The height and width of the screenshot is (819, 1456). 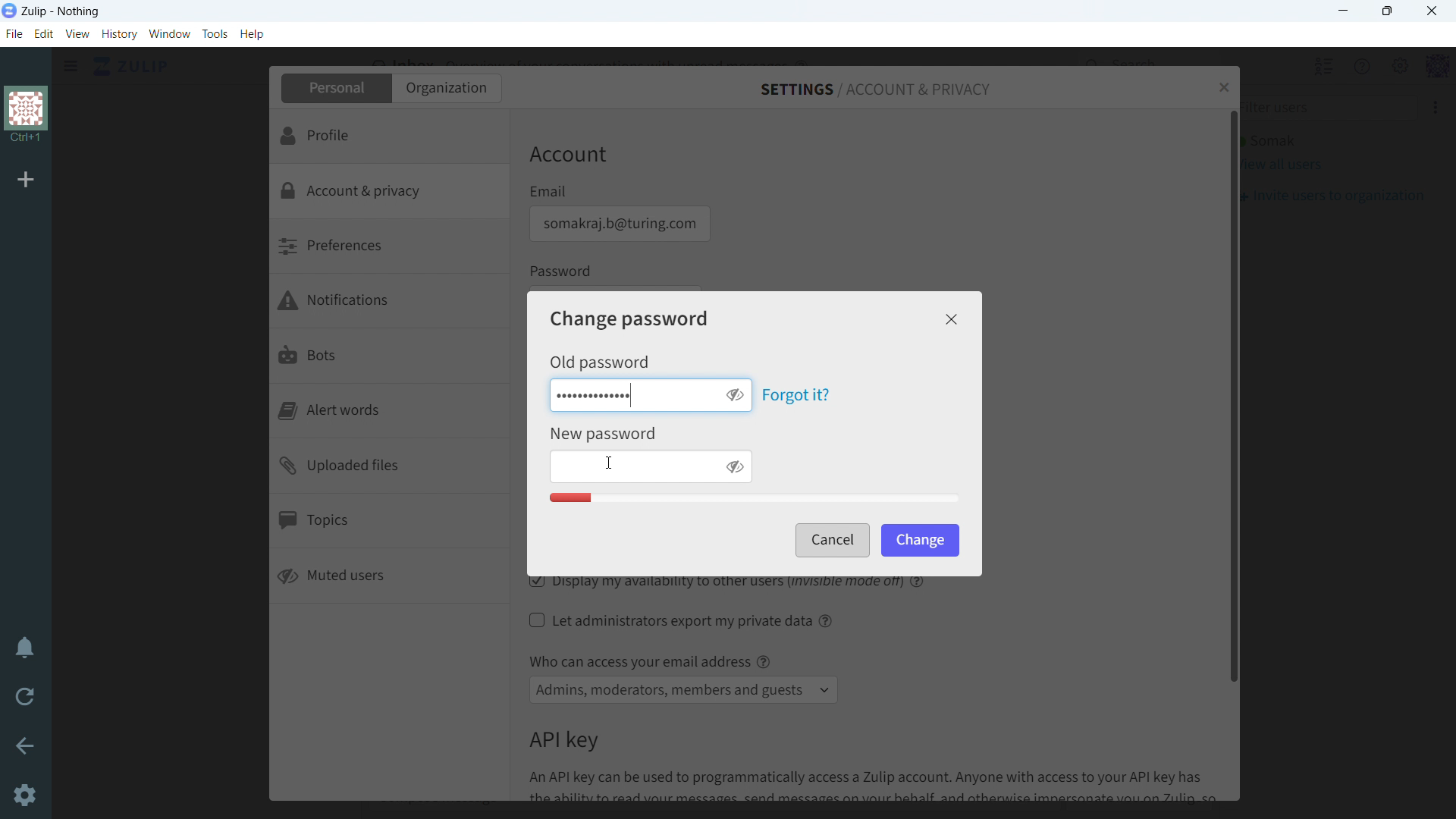 I want to click on close, so click(x=1223, y=87).